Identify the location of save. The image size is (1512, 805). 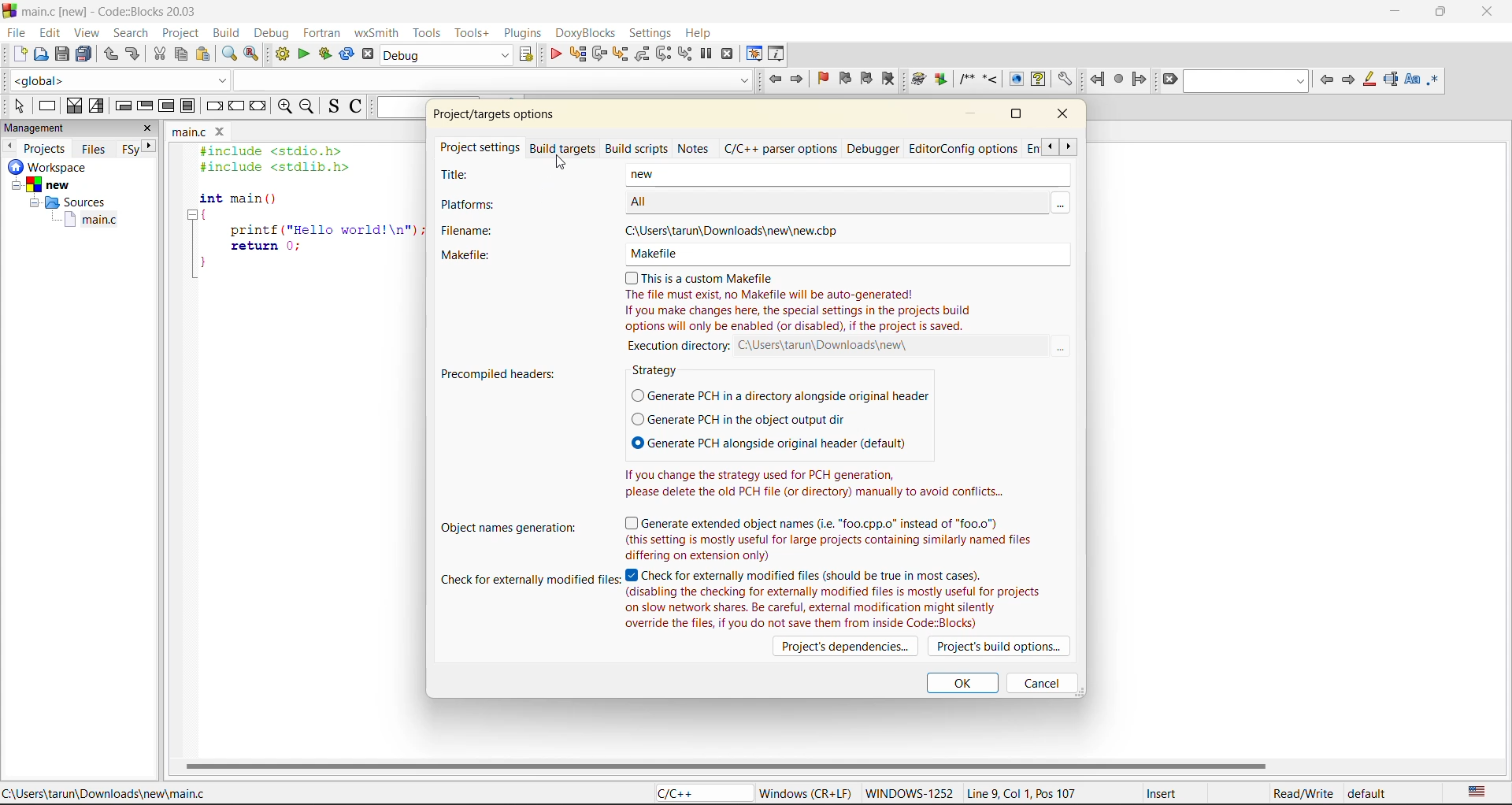
(61, 54).